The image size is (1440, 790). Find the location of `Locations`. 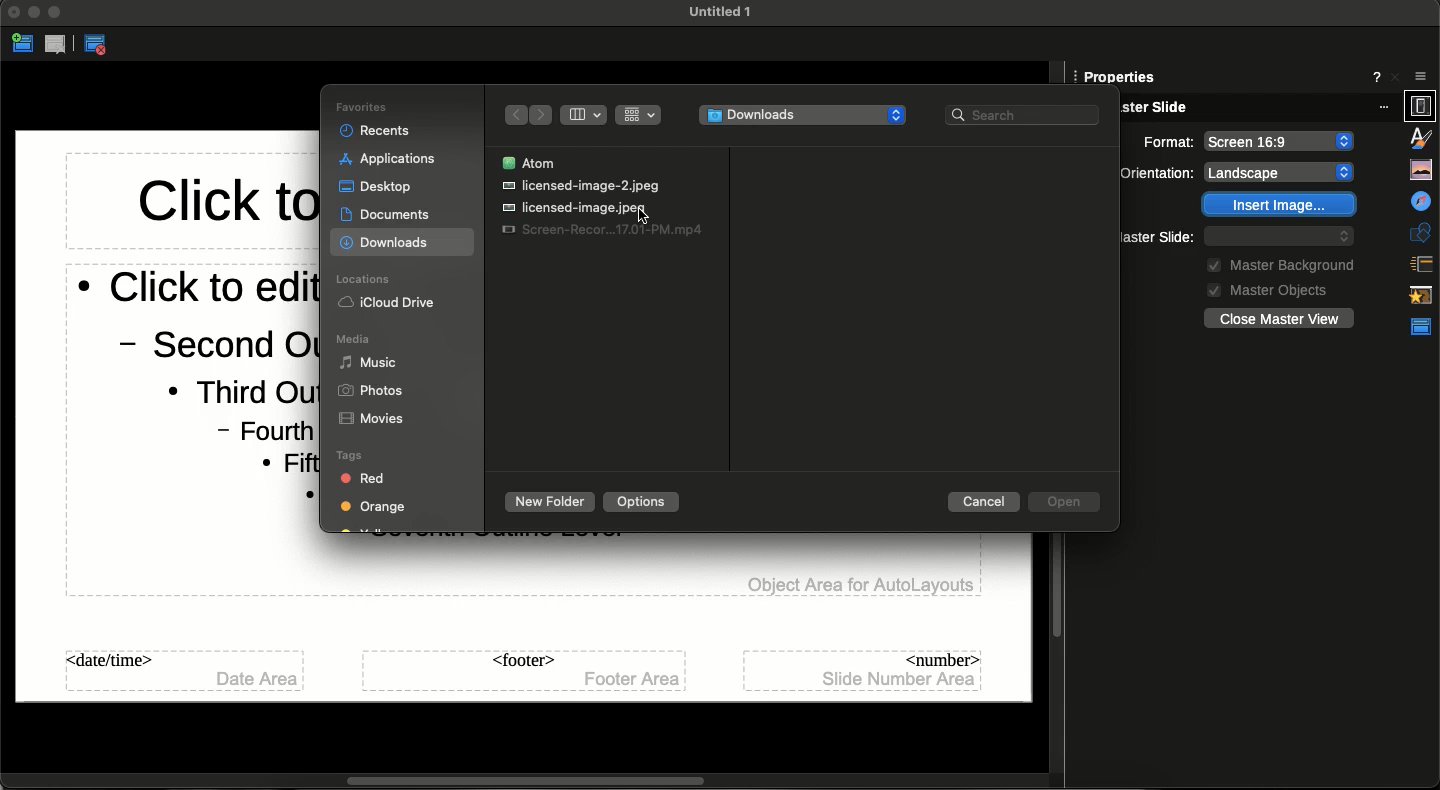

Locations is located at coordinates (361, 278).